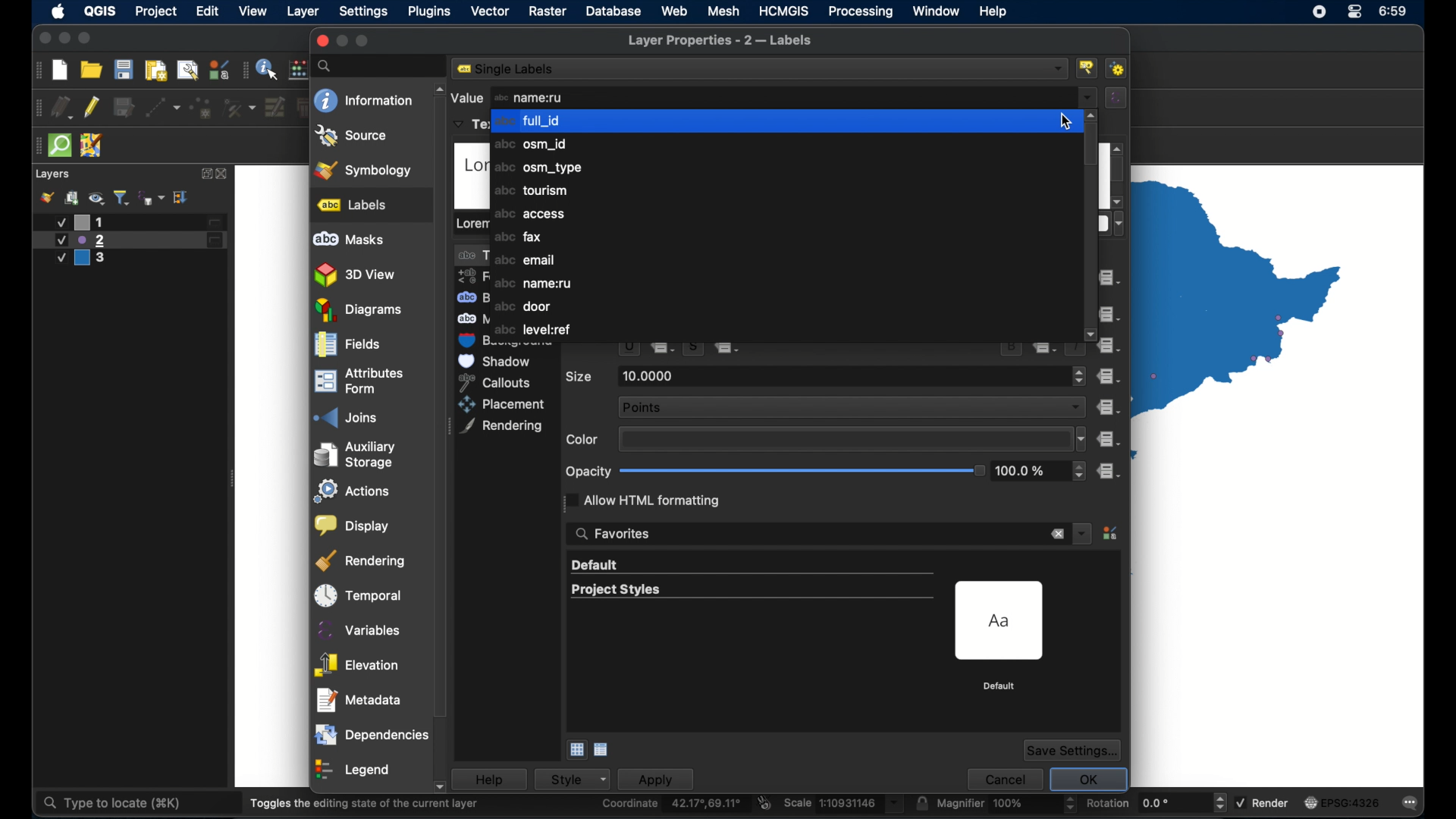 The width and height of the screenshot is (1456, 819). Describe the element at coordinates (204, 174) in the screenshot. I see `expand` at that location.